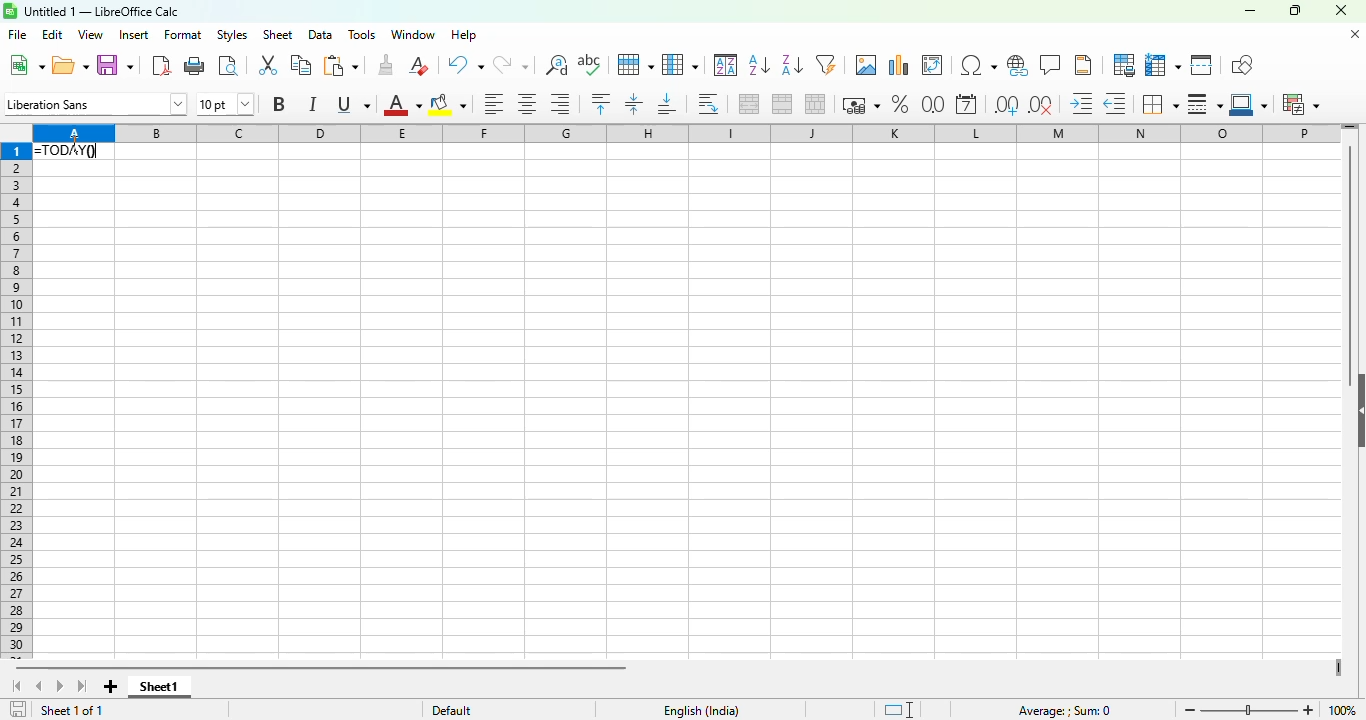  I want to click on standard selection, so click(899, 710).